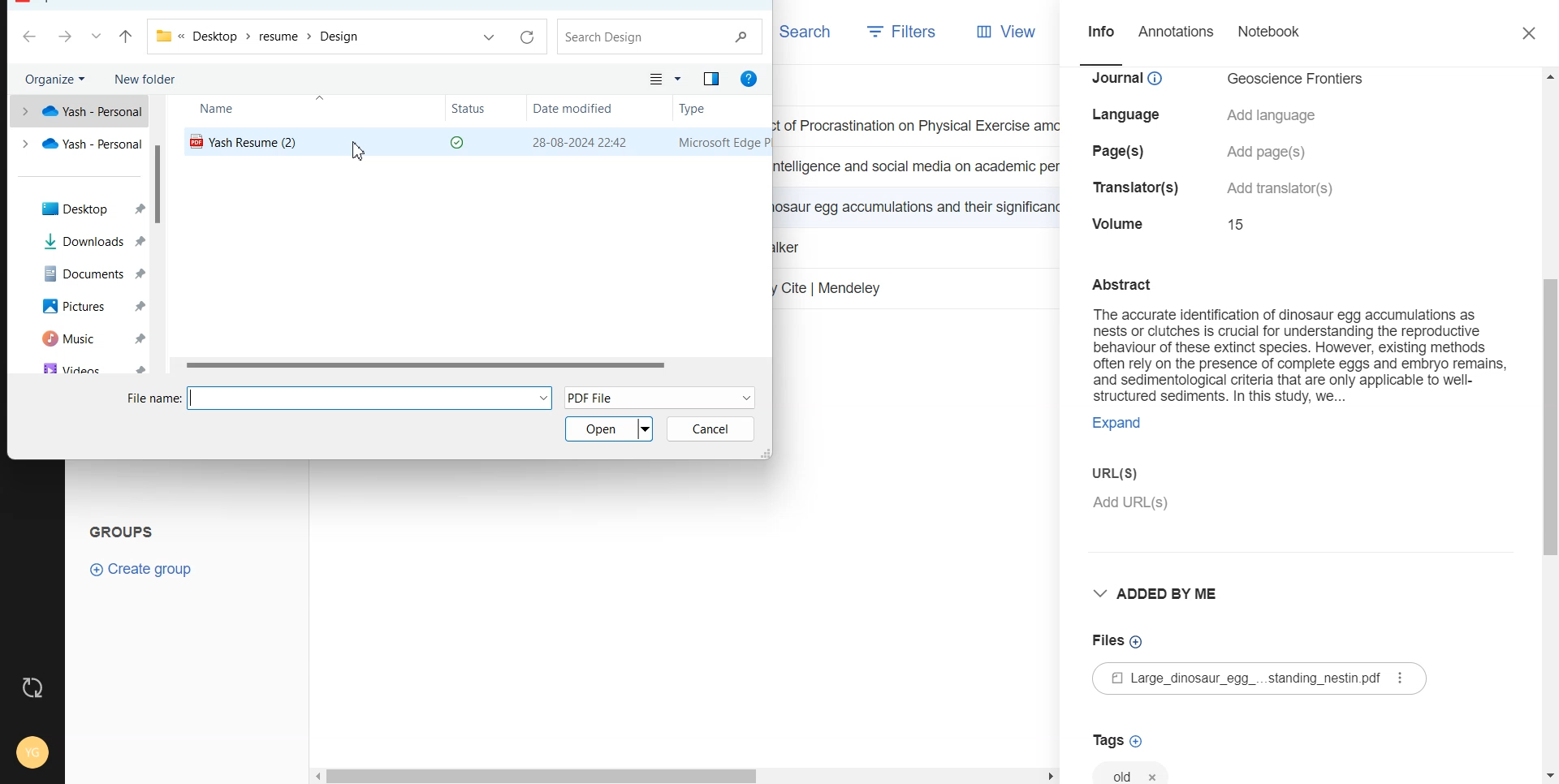 Image resolution: width=1559 pixels, height=784 pixels. What do you see at coordinates (77, 144) in the screenshot?
I see `One Drive` at bounding box center [77, 144].